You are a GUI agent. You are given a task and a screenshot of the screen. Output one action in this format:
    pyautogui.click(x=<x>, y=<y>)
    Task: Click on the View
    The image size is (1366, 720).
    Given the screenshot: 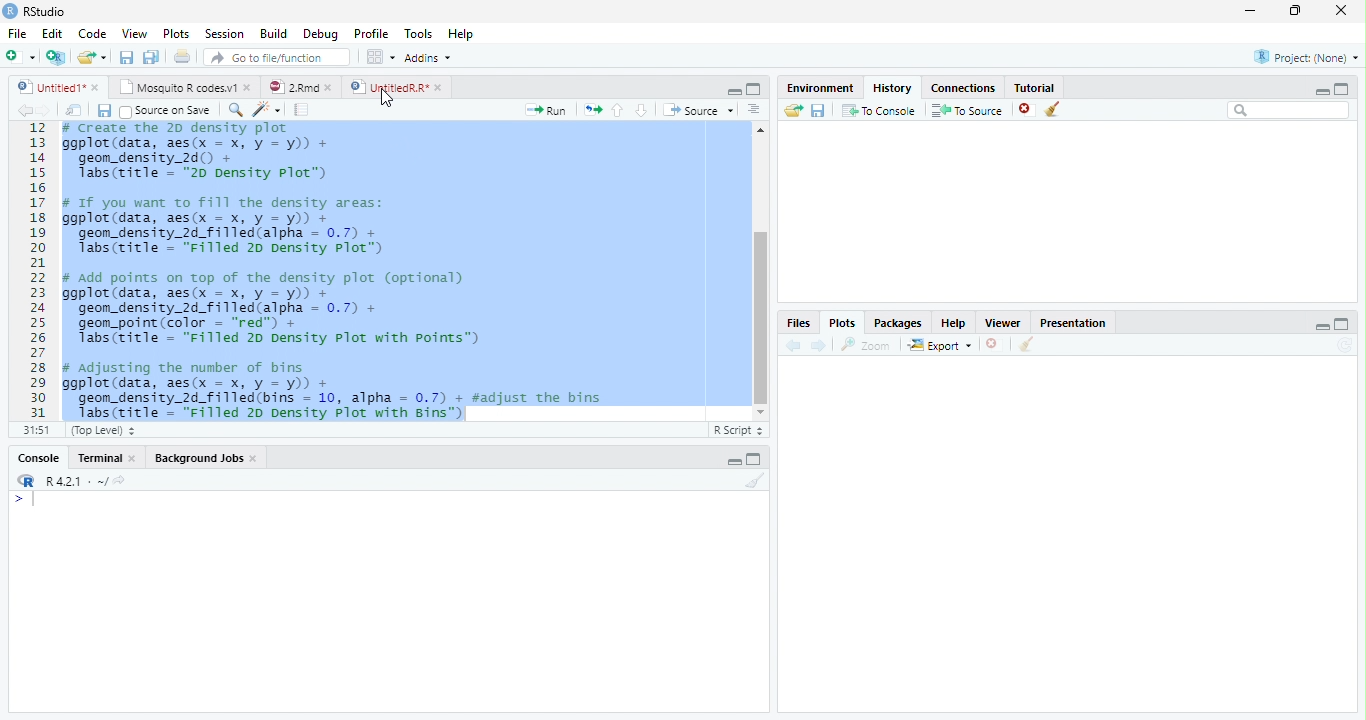 What is the action you would take?
    pyautogui.click(x=134, y=34)
    